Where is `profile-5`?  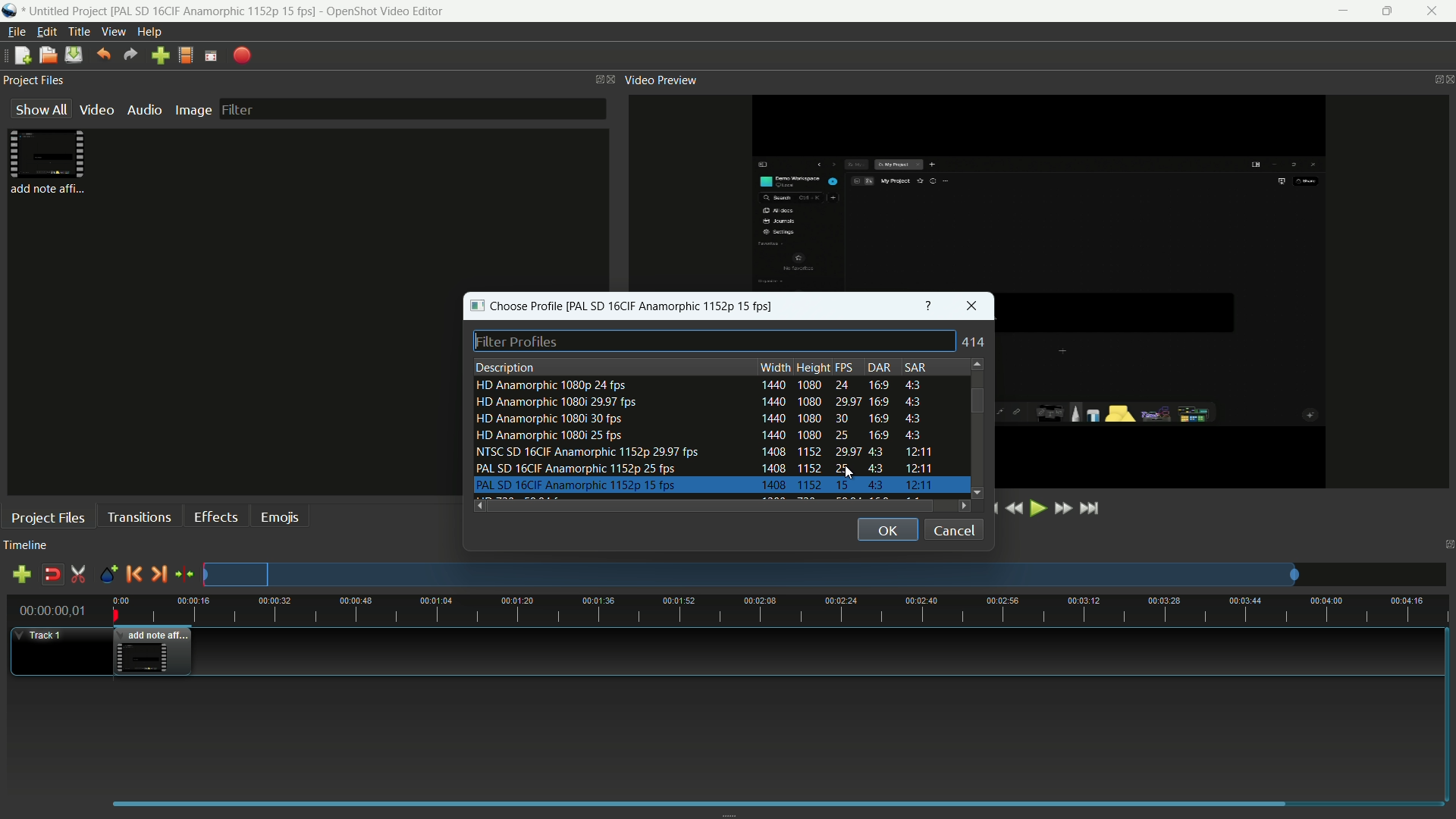
profile-5 is located at coordinates (703, 451).